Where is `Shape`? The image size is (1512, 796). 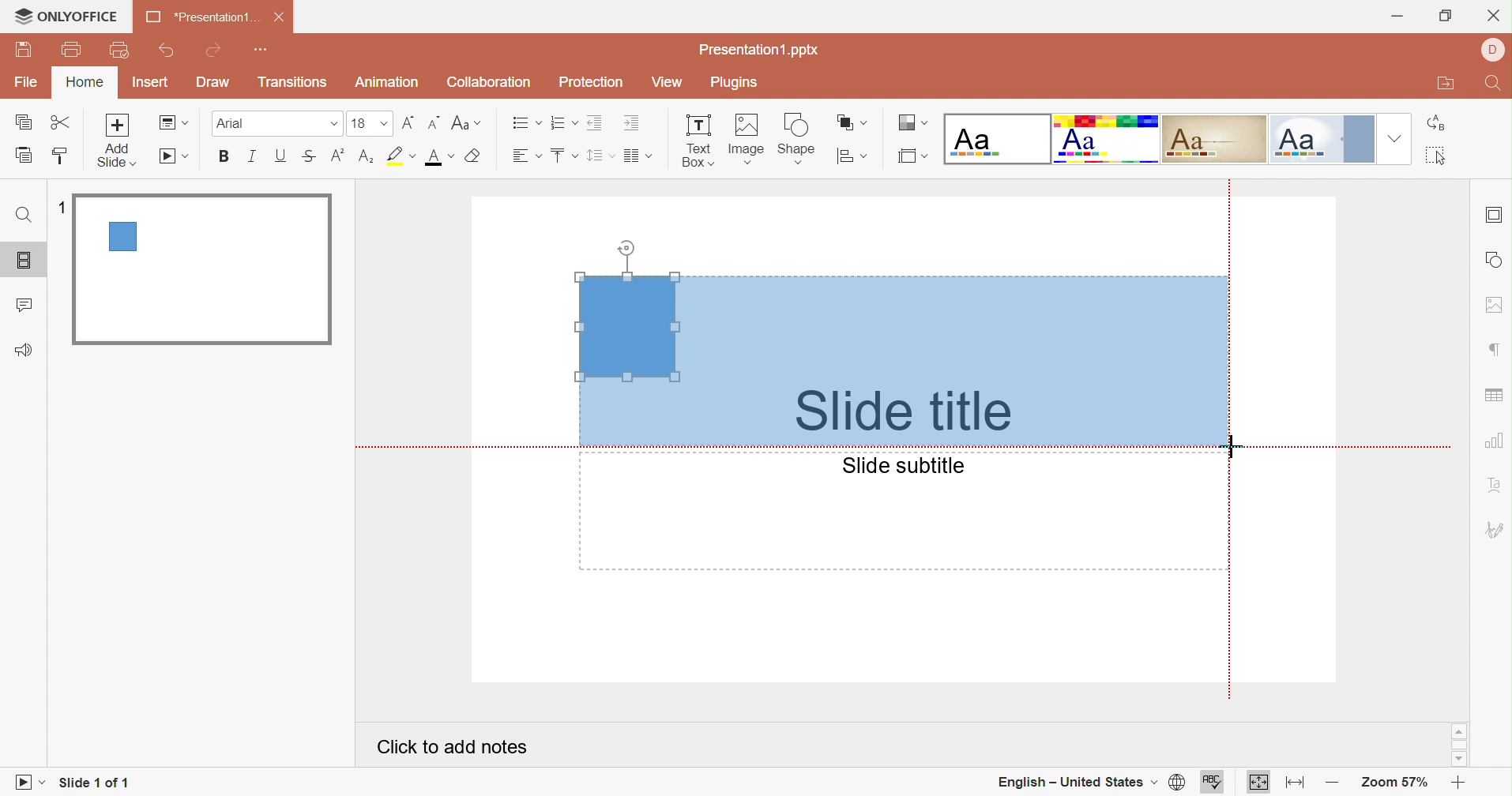
Shape is located at coordinates (795, 141).